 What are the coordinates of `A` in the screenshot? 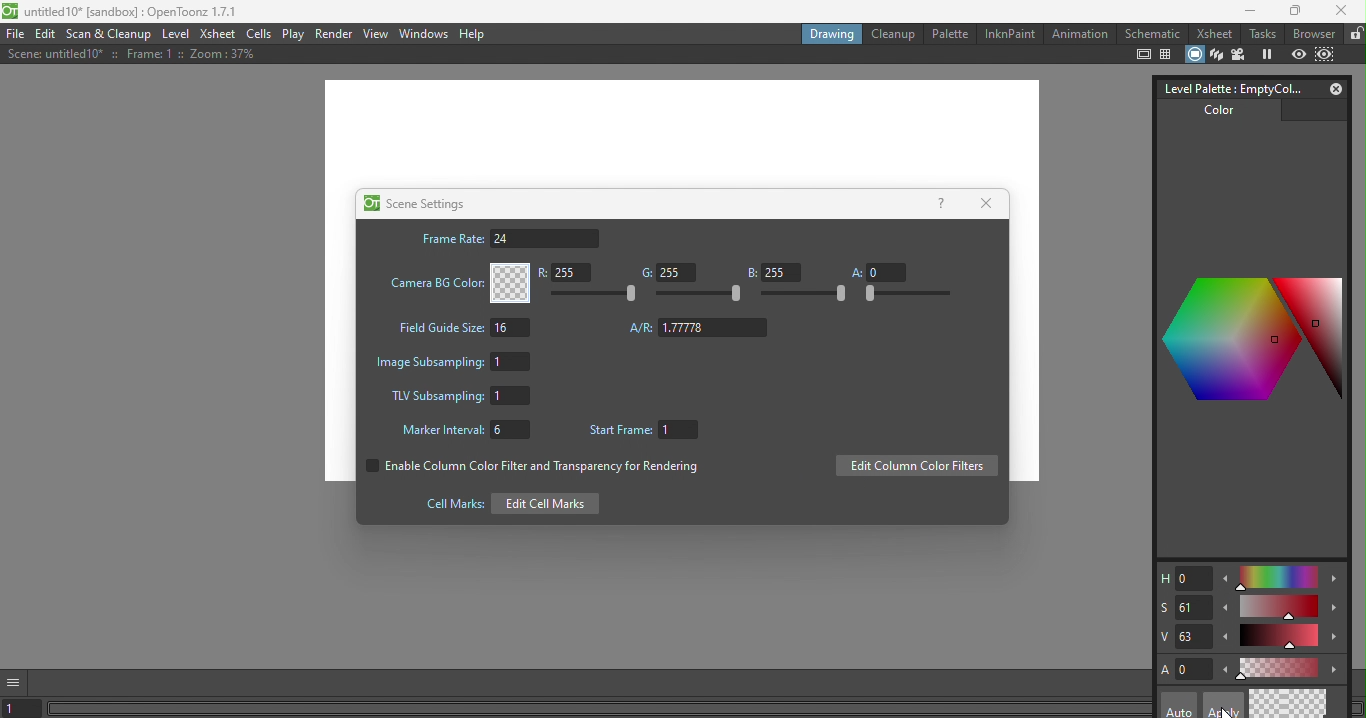 It's located at (878, 271).